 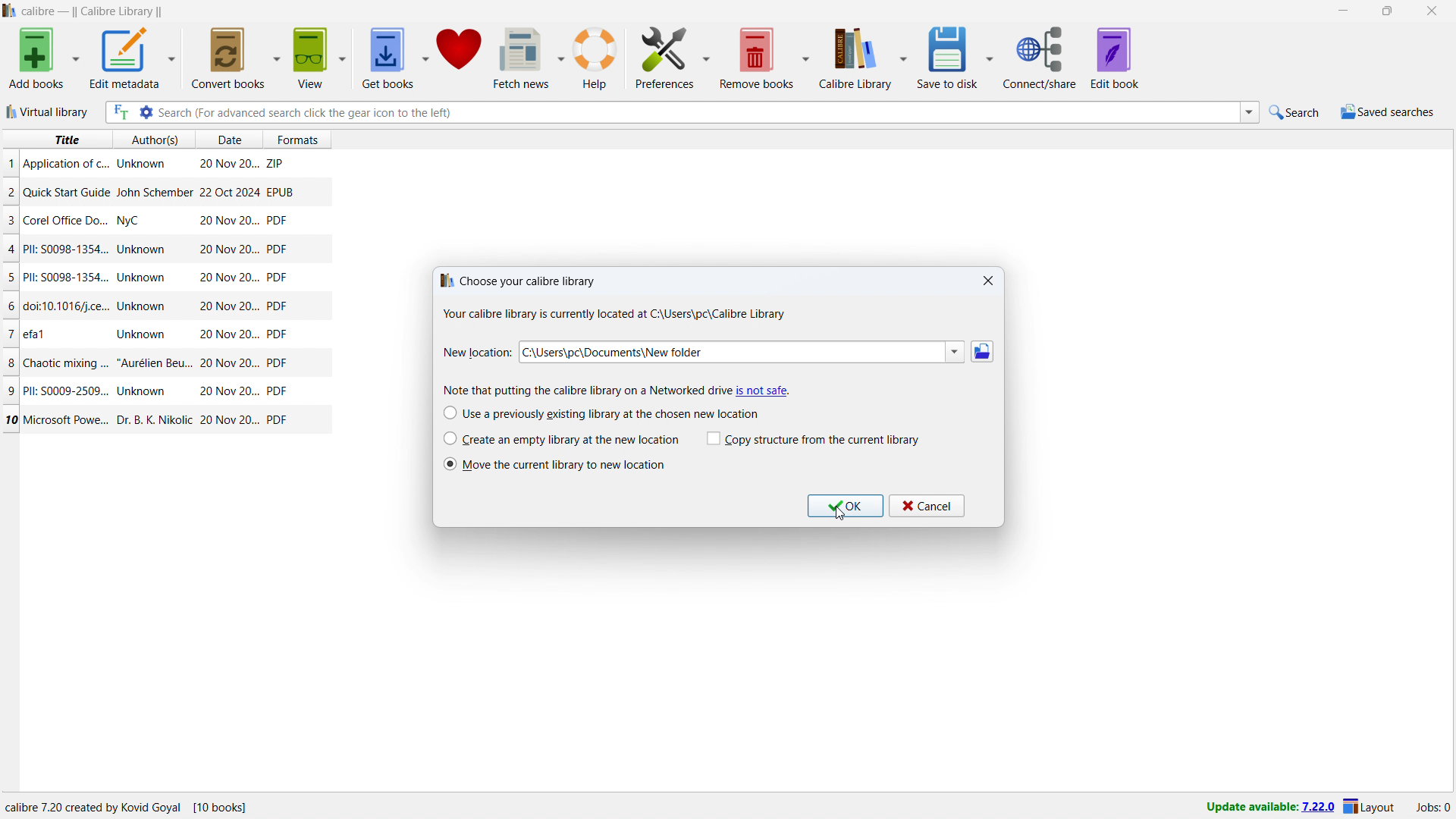 I want to click on active jobs, so click(x=1433, y=808).